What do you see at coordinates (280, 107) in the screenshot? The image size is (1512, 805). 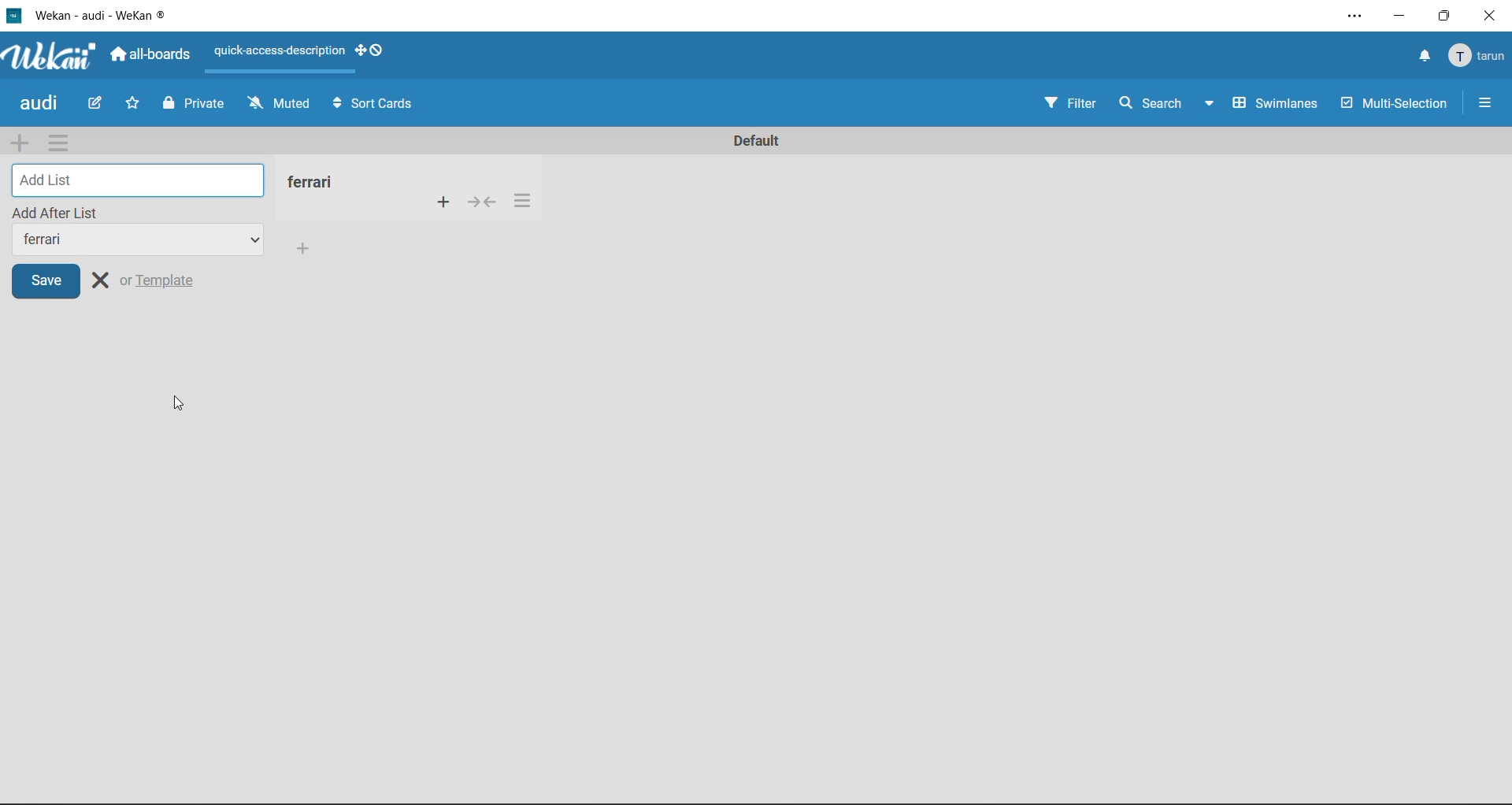 I see `muted` at bounding box center [280, 107].